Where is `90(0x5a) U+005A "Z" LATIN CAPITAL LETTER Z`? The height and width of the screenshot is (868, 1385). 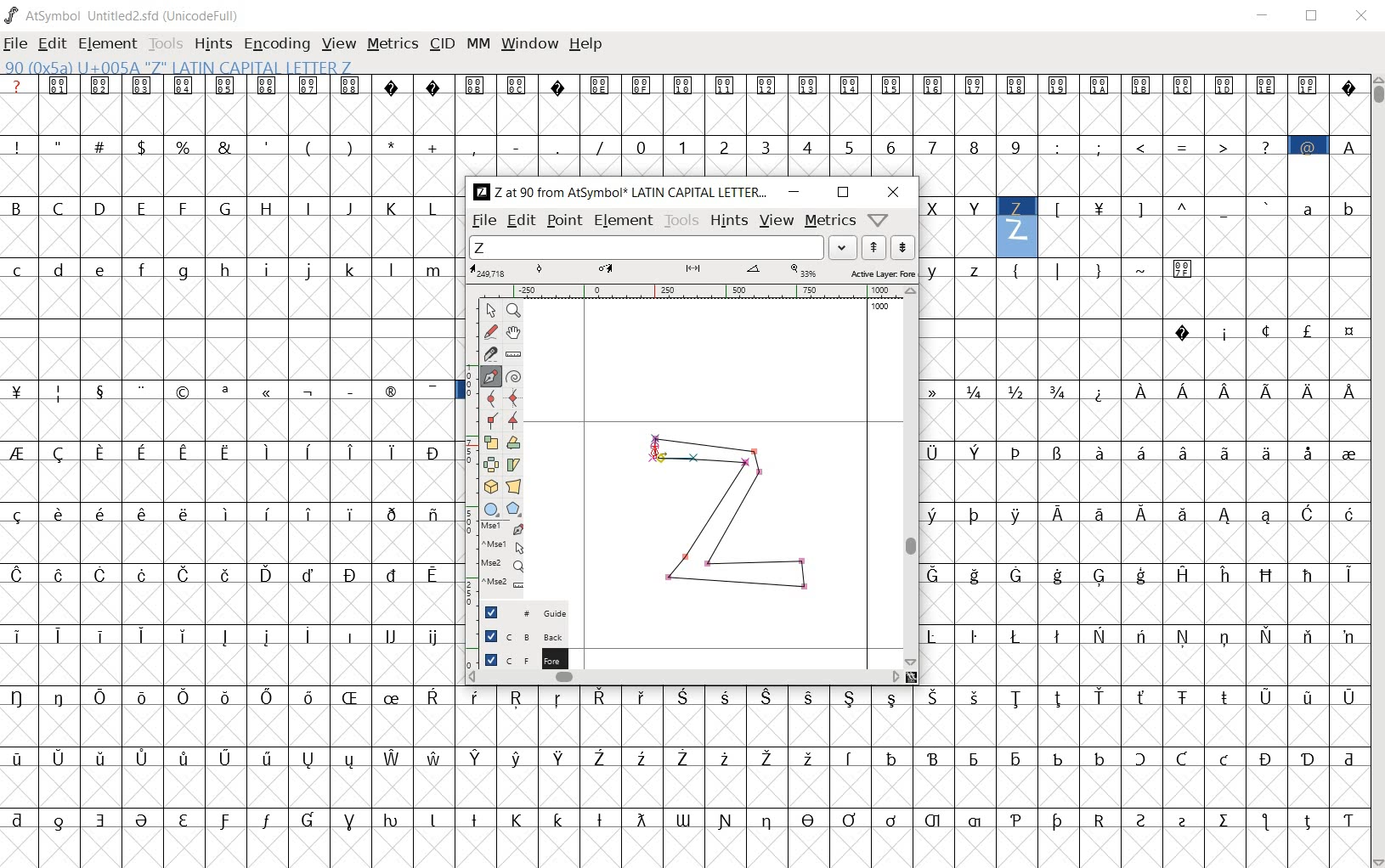 90(0x5a) U+005A "Z" LATIN CAPITAL LETTER Z is located at coordinates (1017, 223).